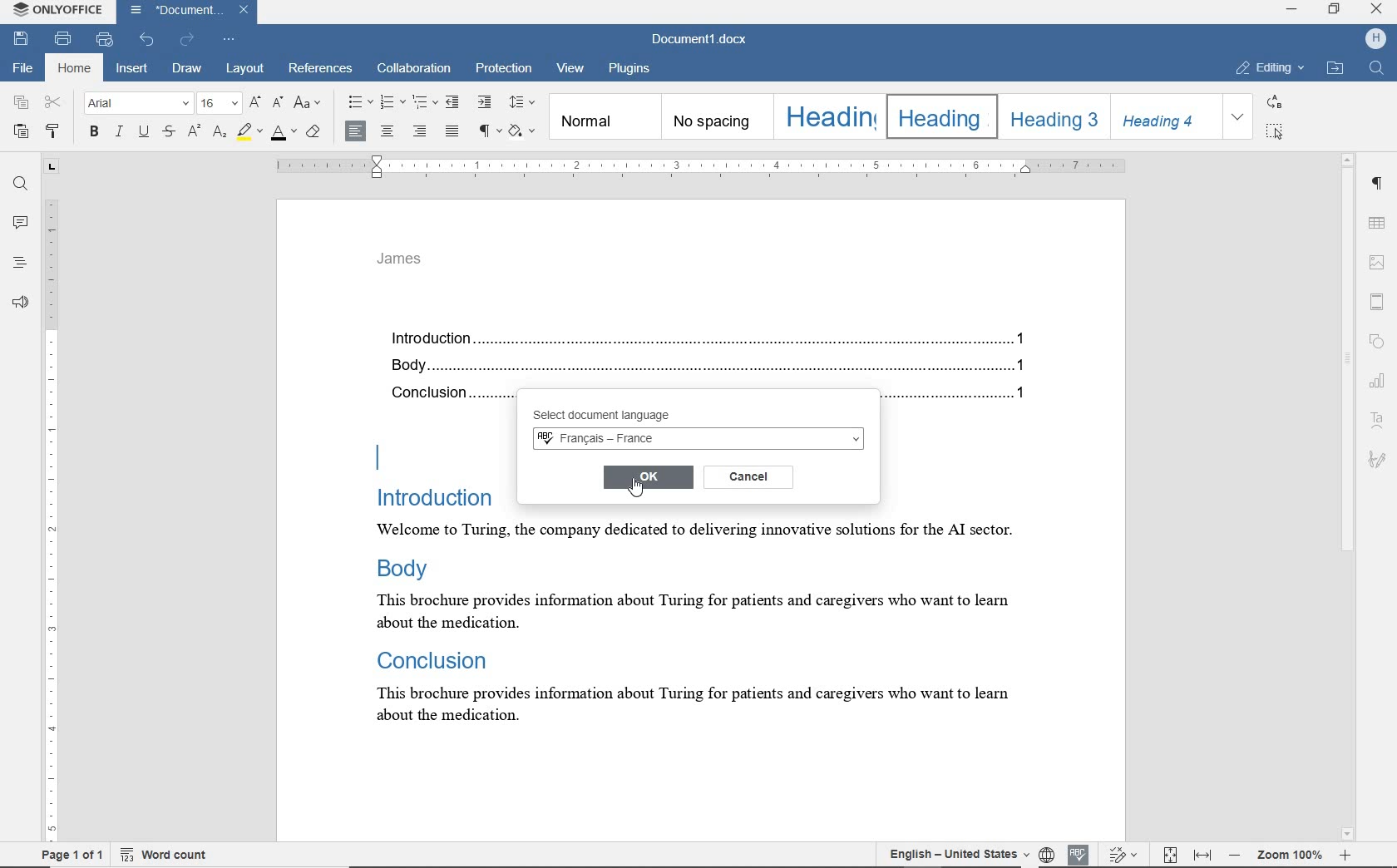 Image resolution: width=1397 pixels, height=868 pixels. I want to click on headings, so click(19, 264).